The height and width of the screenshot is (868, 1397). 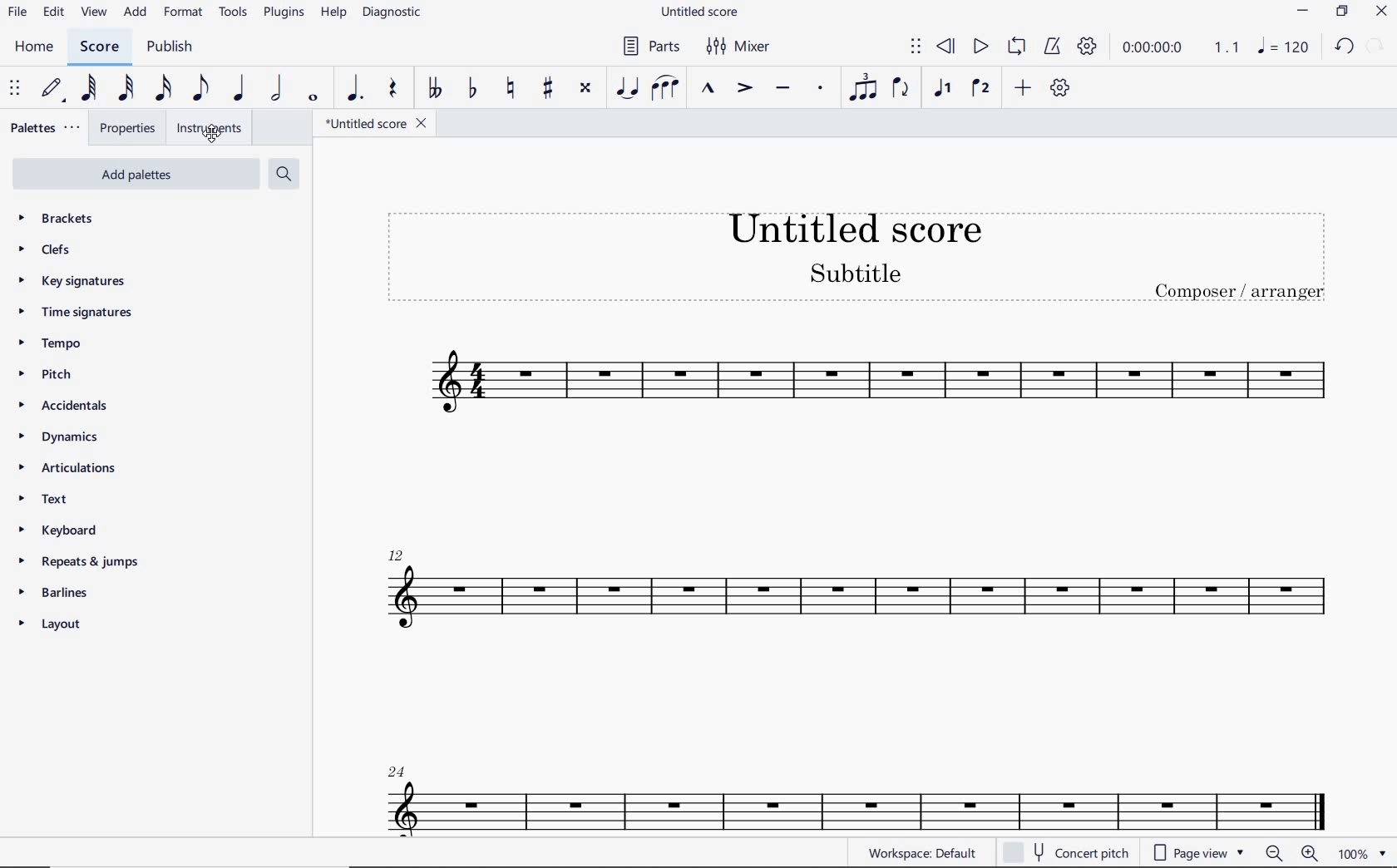 What do you see at coordinates (708, 89) in the screenshot?
I see `MARCATO` at bounding box center [708, 89].